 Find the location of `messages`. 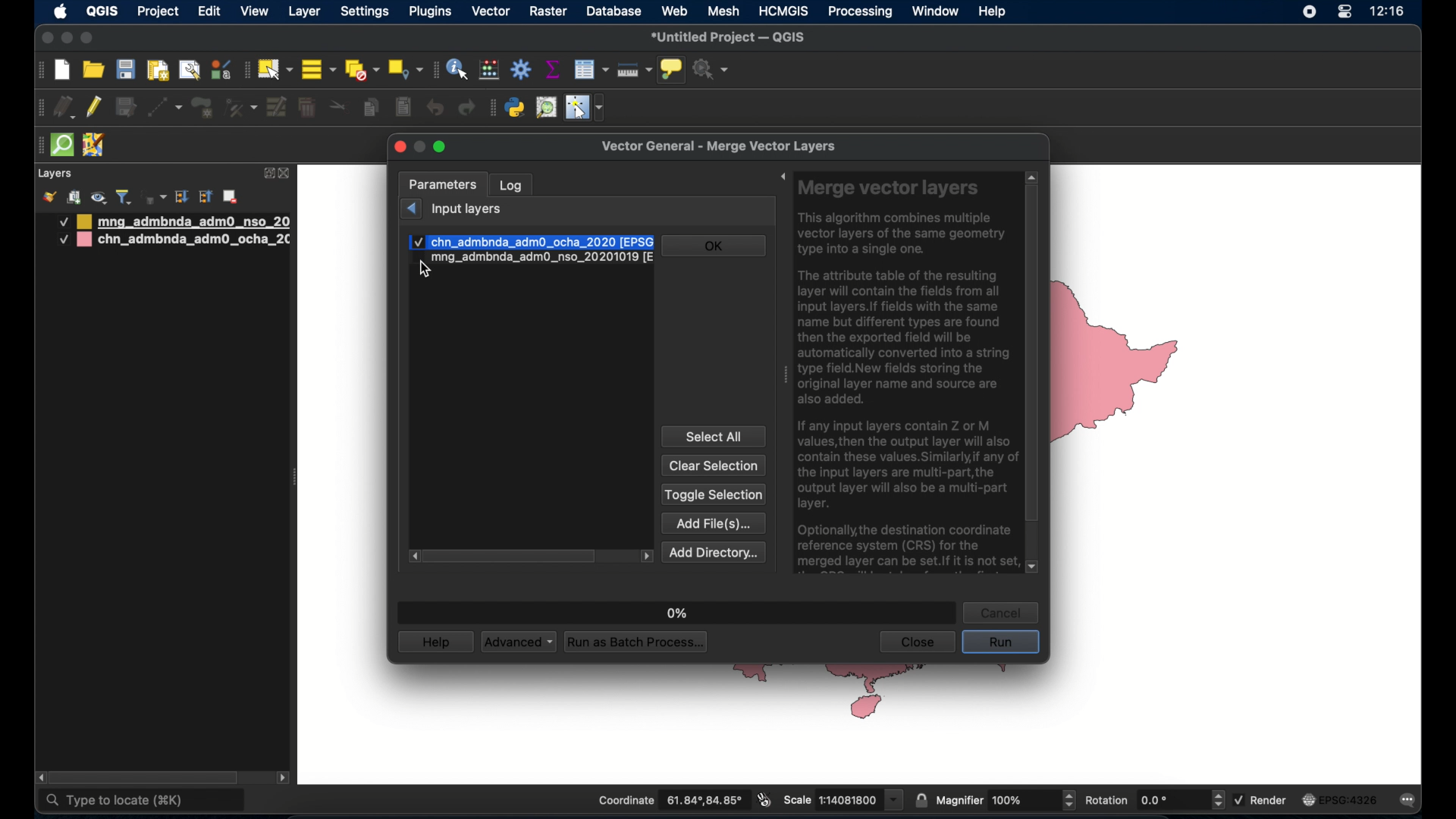

messages is located at coordinates (1410, 802).